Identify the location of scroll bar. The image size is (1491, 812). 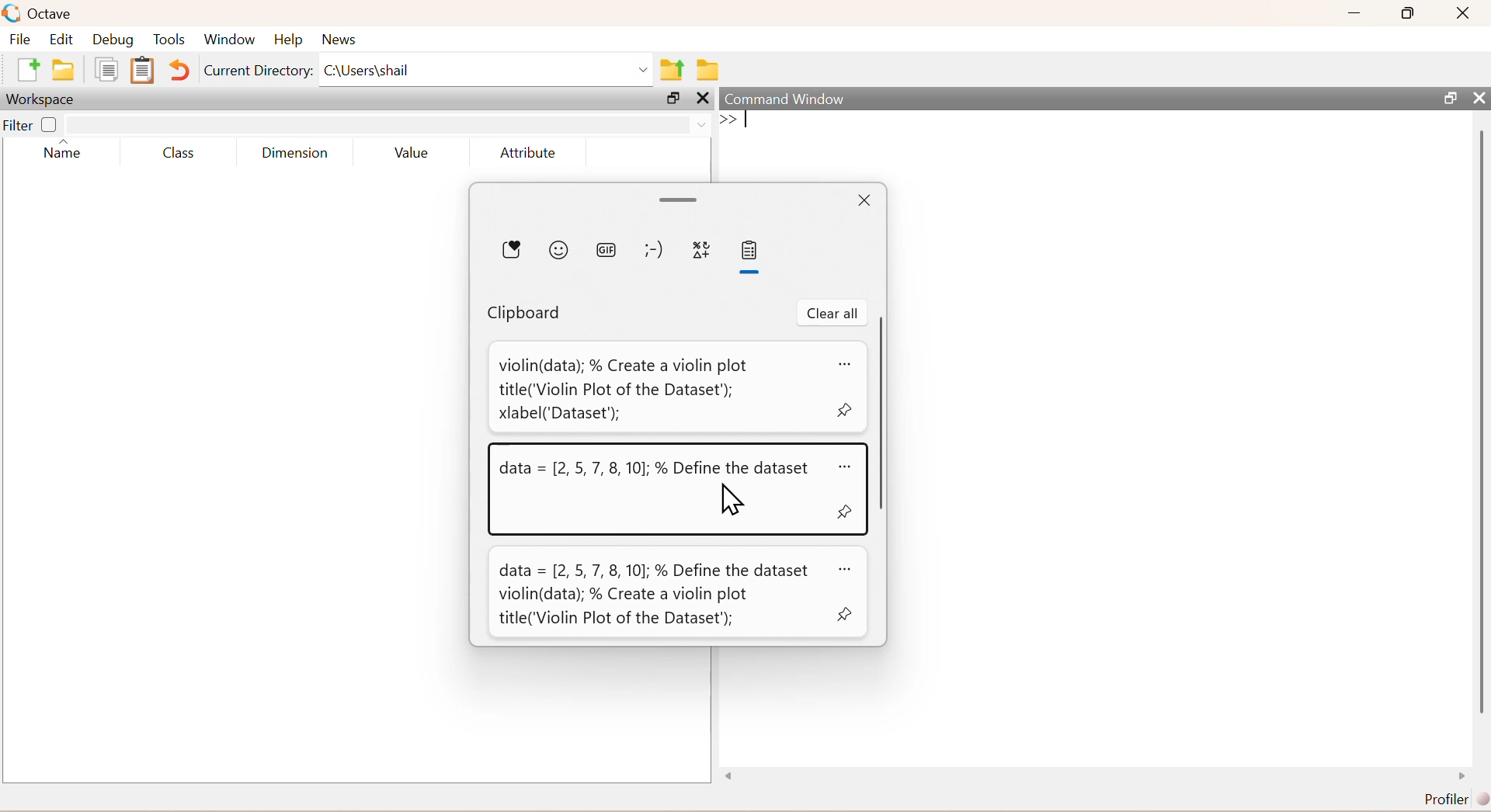
(1481, 425).